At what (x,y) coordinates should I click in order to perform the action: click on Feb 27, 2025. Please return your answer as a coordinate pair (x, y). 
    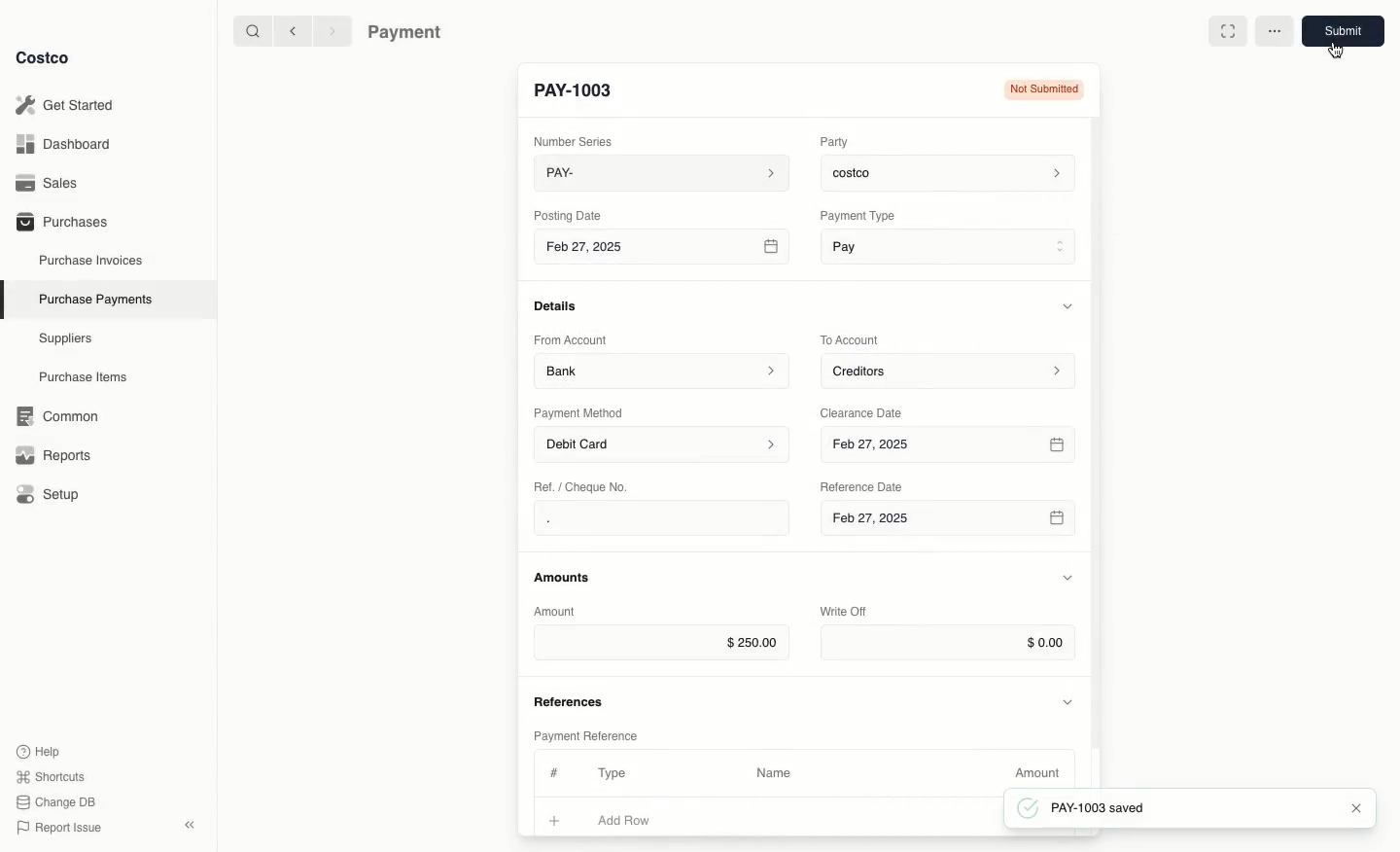
    Looking at the image, I should click on (664, 250).